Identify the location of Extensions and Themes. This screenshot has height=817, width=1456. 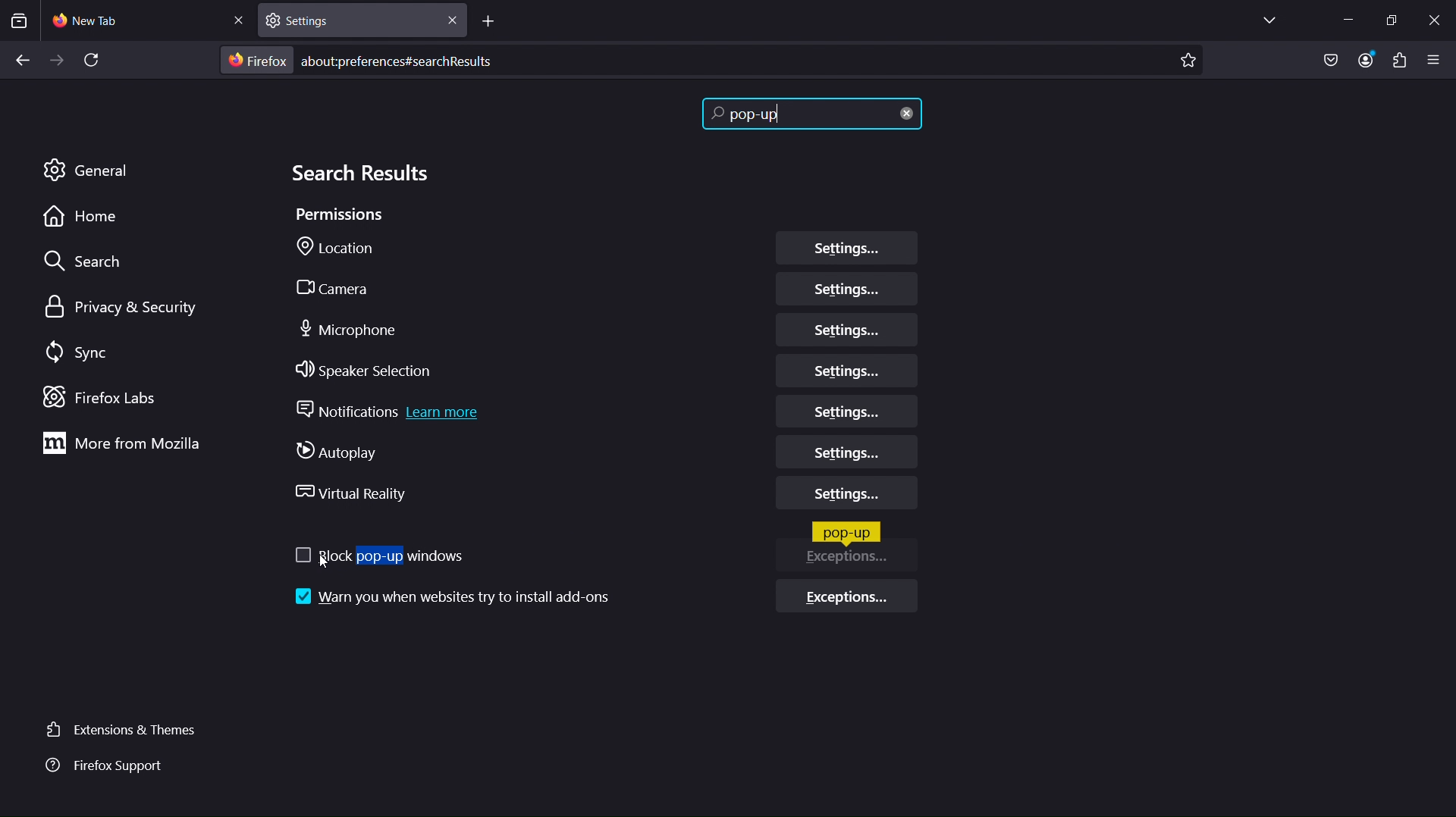
(126, 729).